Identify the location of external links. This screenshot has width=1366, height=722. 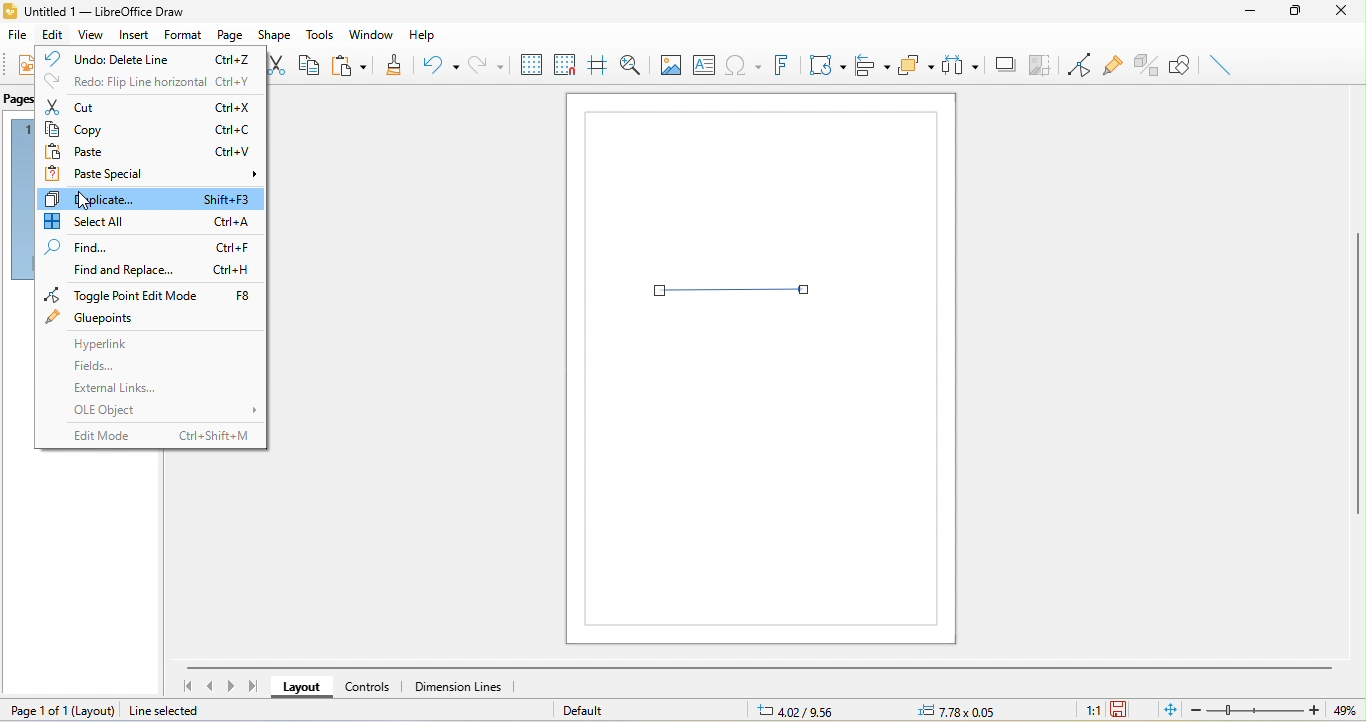
(129, 388).